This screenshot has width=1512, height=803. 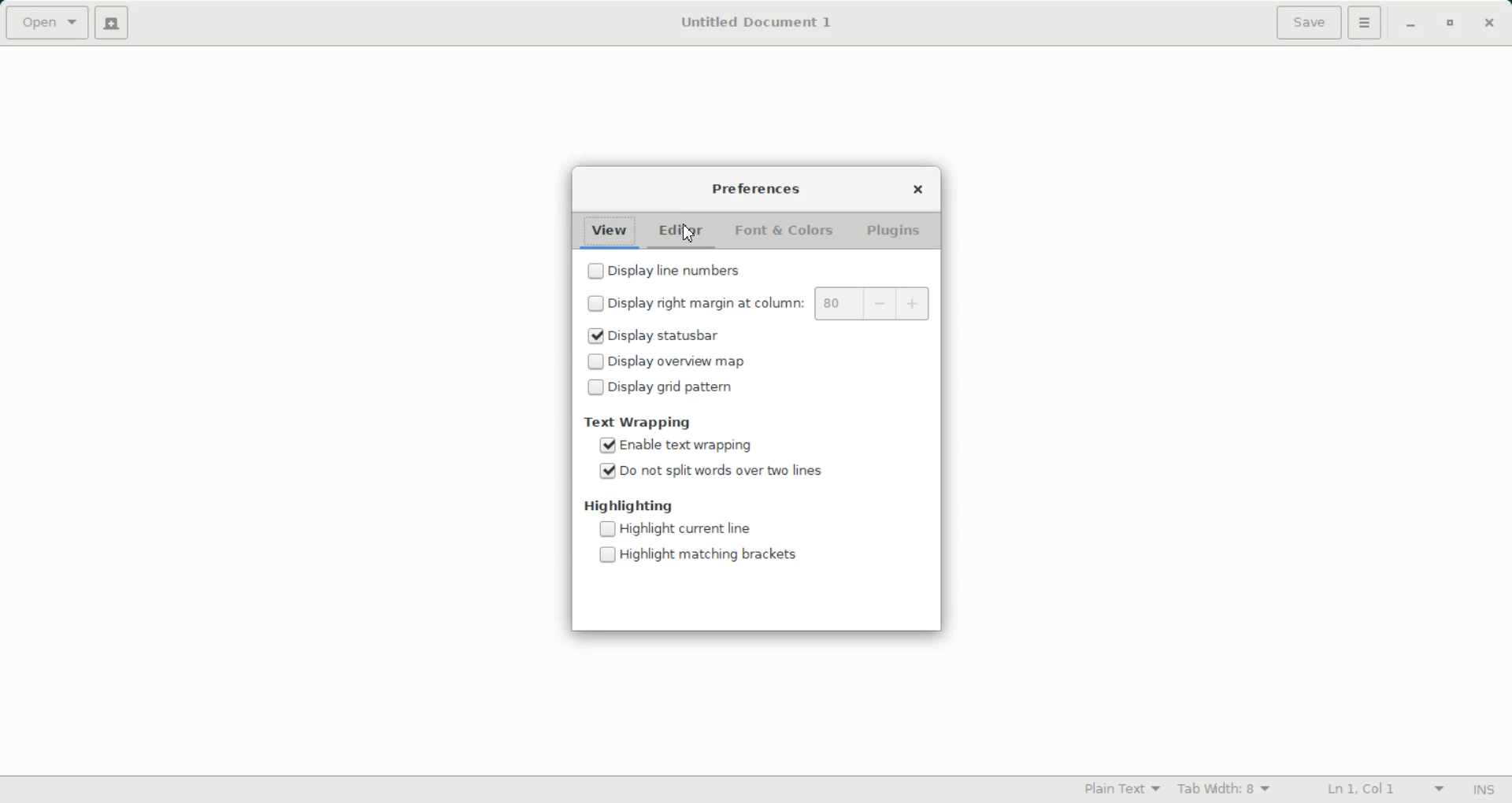 I want to click on Font & Colors, so click(x=782, y=232).